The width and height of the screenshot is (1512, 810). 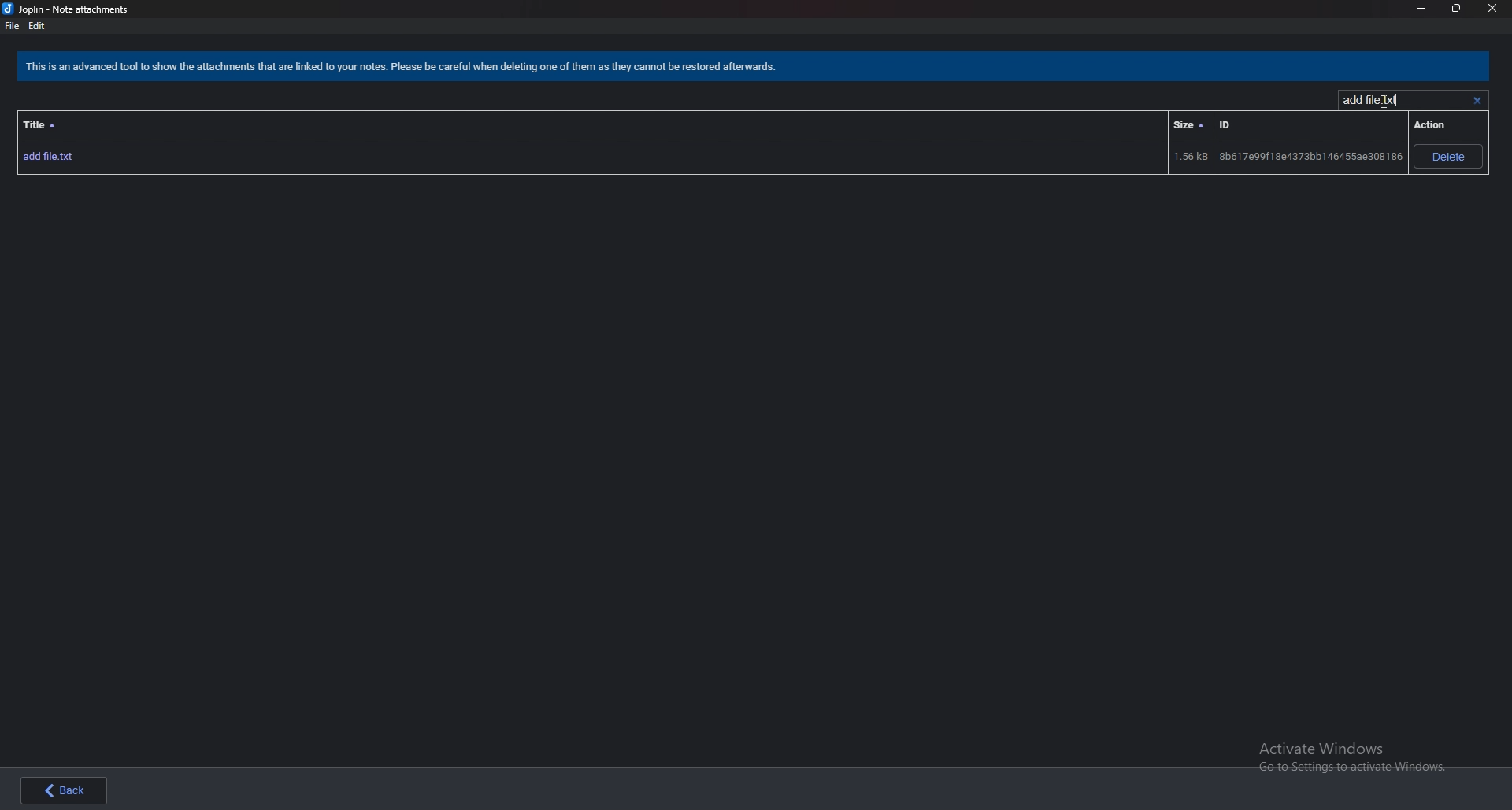 I want to click on Back, so click(x=74, y=789).